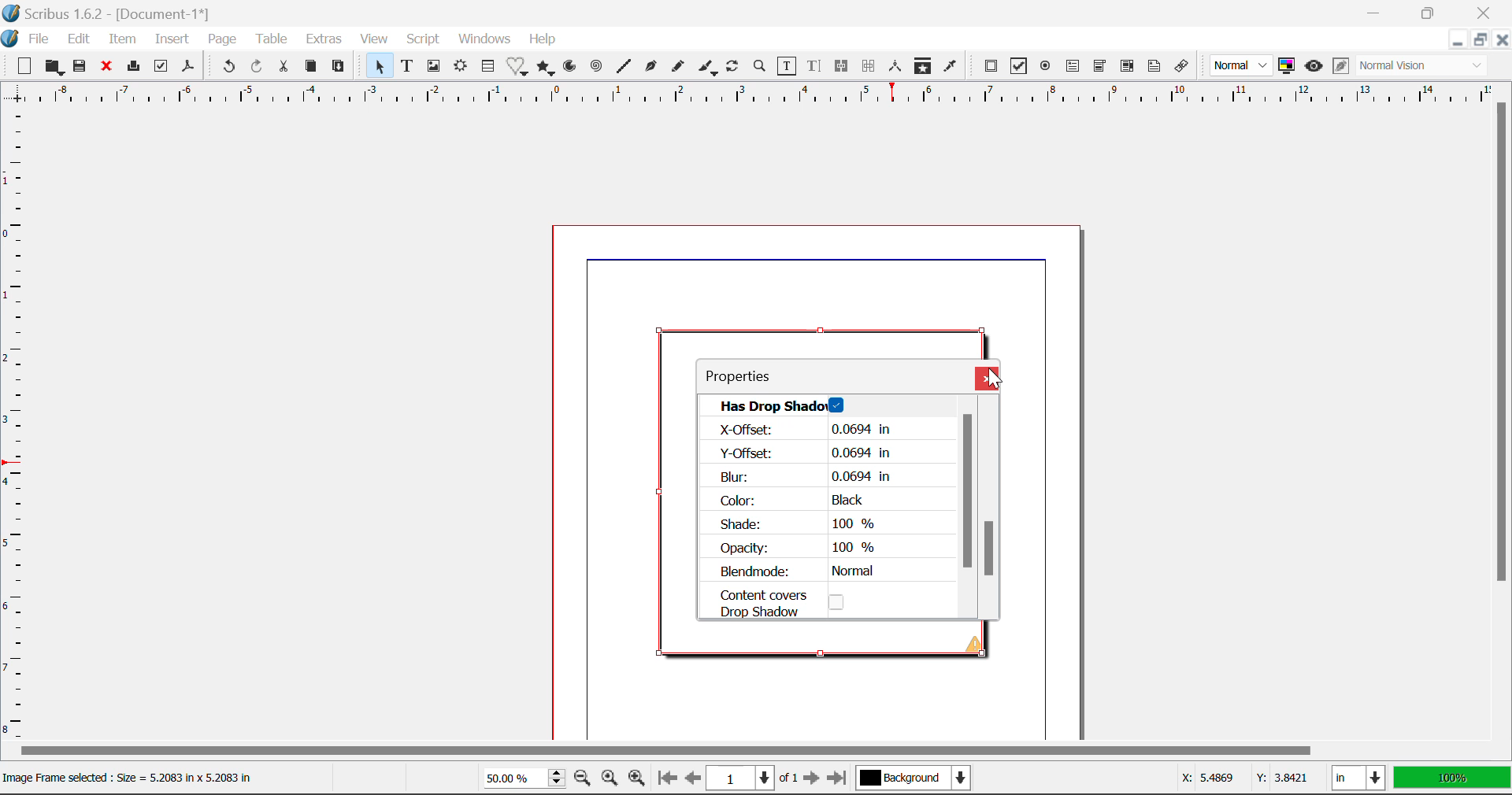 This screenshot has width=1512, height=795. Describe the element at coordinates (803, 549) in the screenshot. I see `Opacity: 100 %` at that location.